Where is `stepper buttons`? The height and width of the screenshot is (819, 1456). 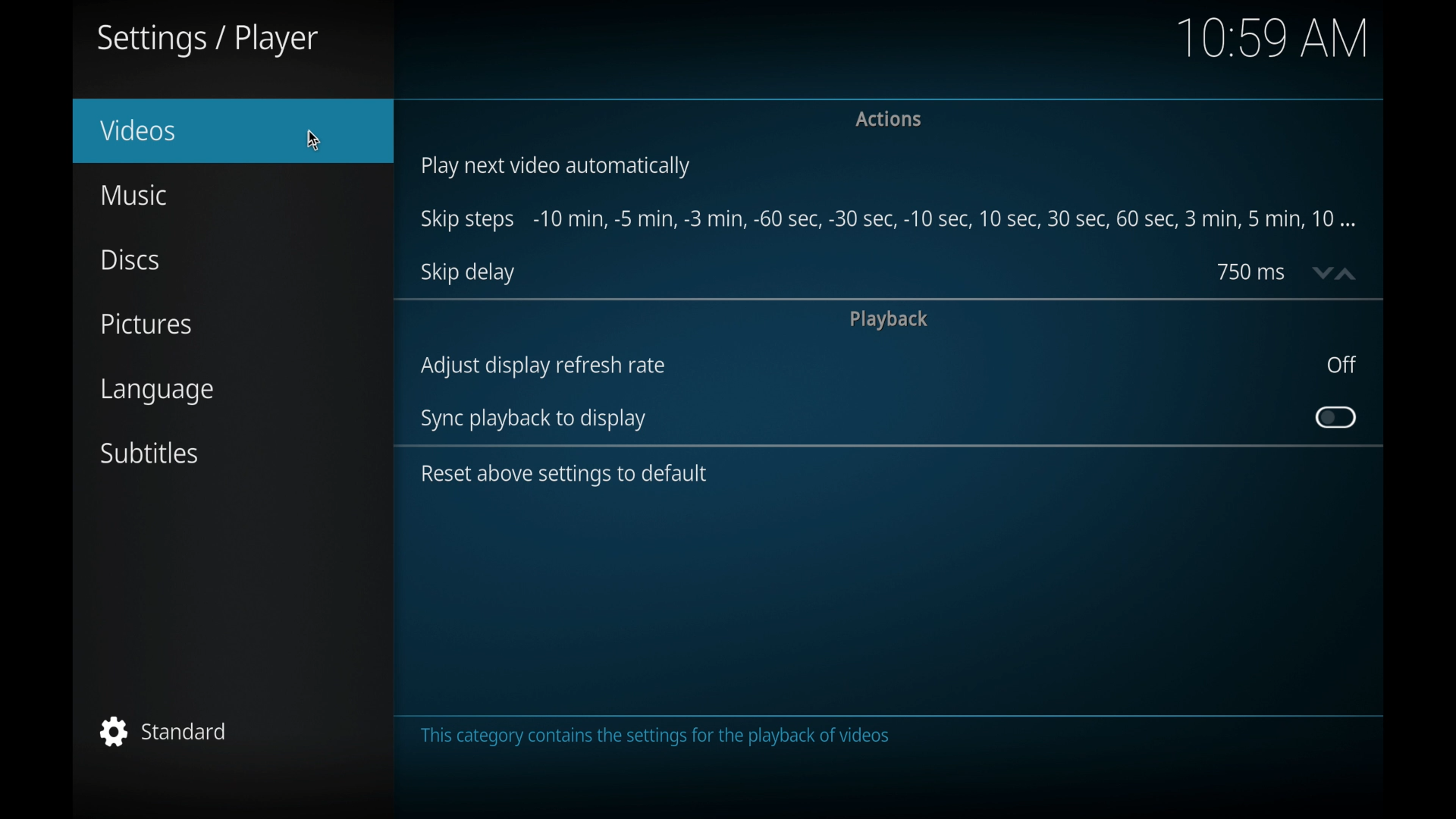
stepper buttons is located at coordinates (1336, 272).